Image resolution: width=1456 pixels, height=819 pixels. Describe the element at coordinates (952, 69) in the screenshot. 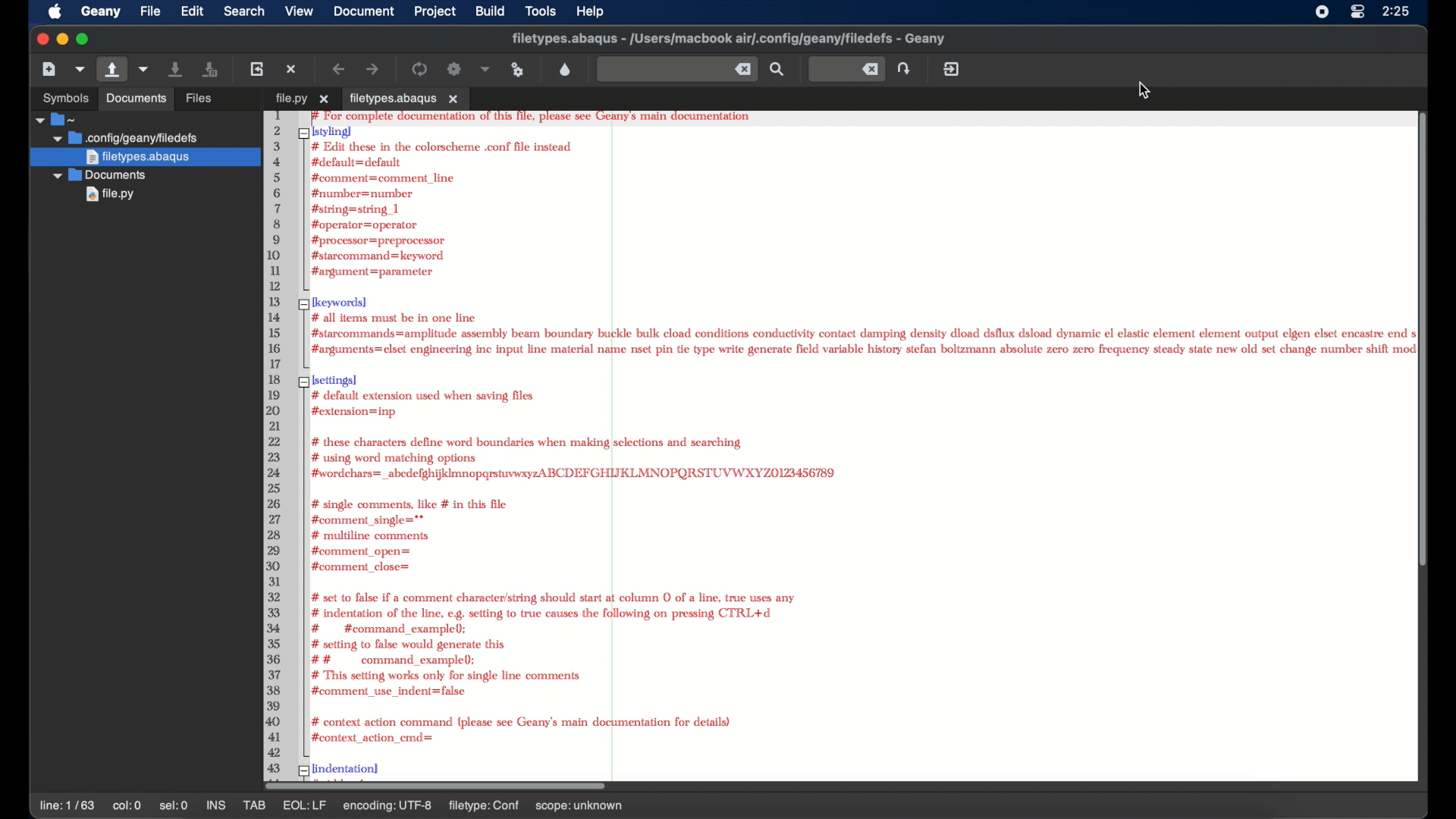

I see `quit geany` at that location.